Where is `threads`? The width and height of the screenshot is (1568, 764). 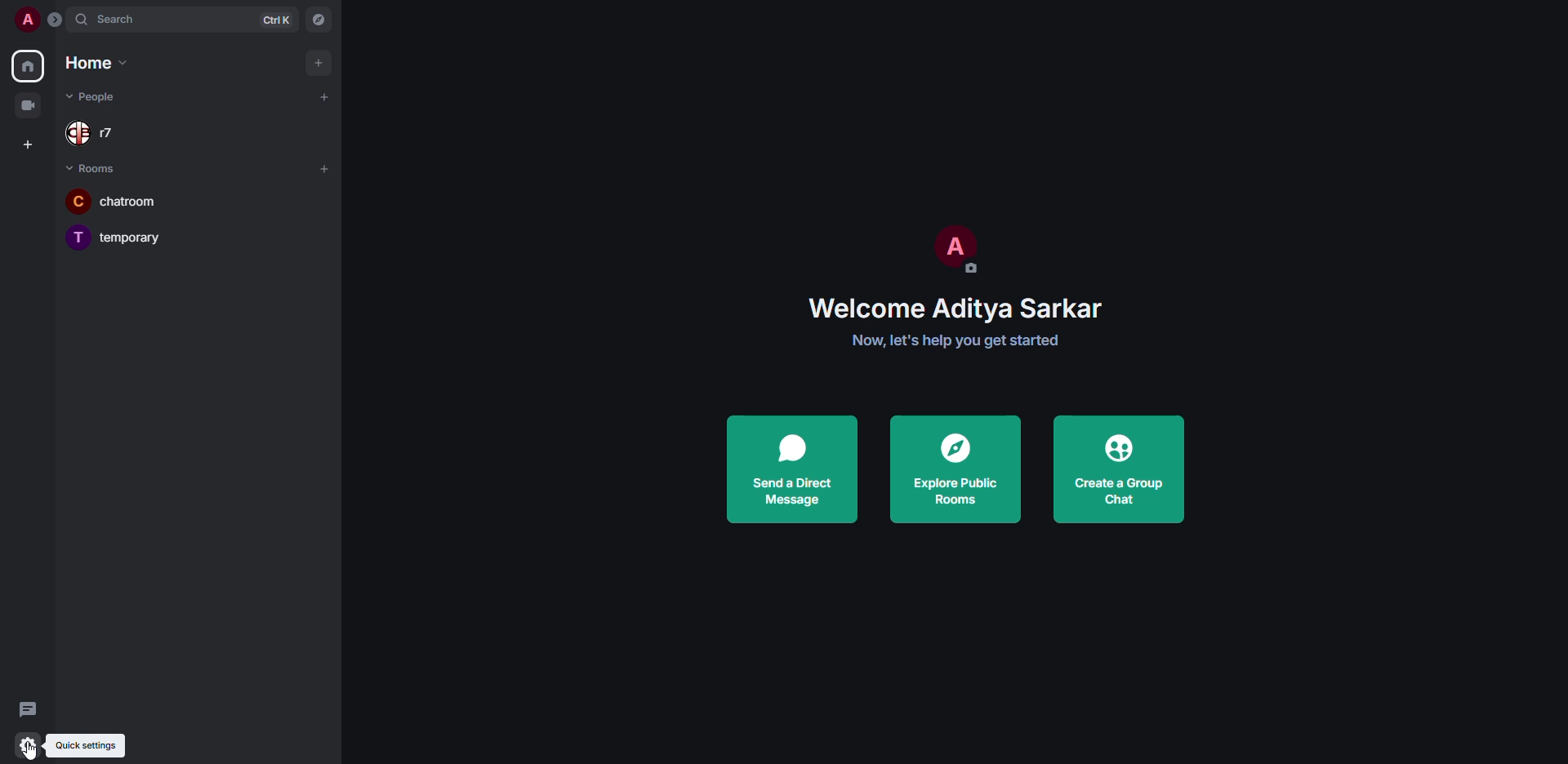
threads is located at coordinates (31, 708).